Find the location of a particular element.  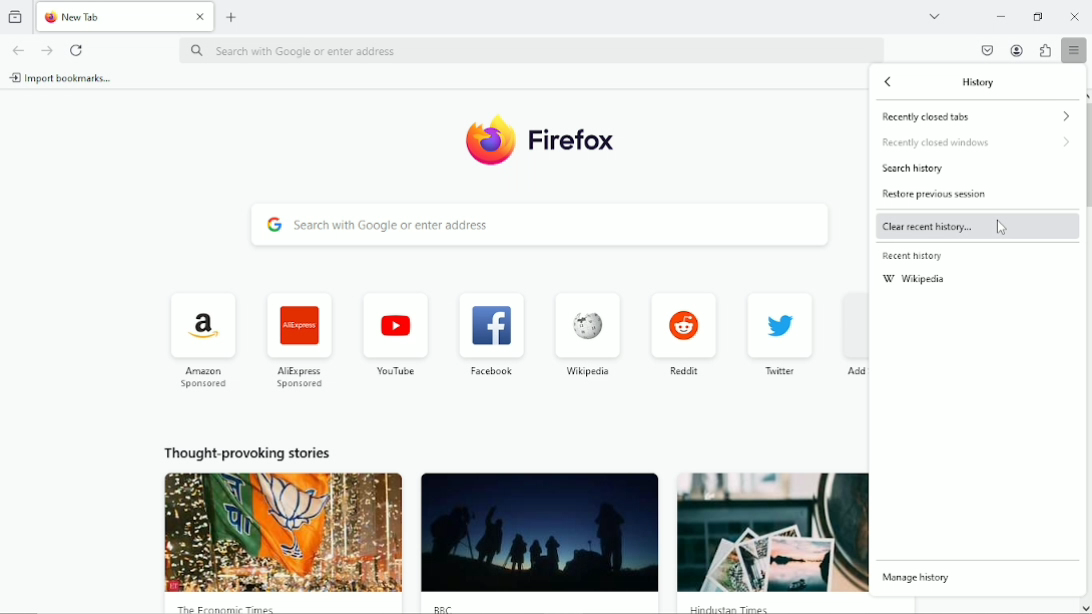

Facebook is located at coordinates (491, 331).